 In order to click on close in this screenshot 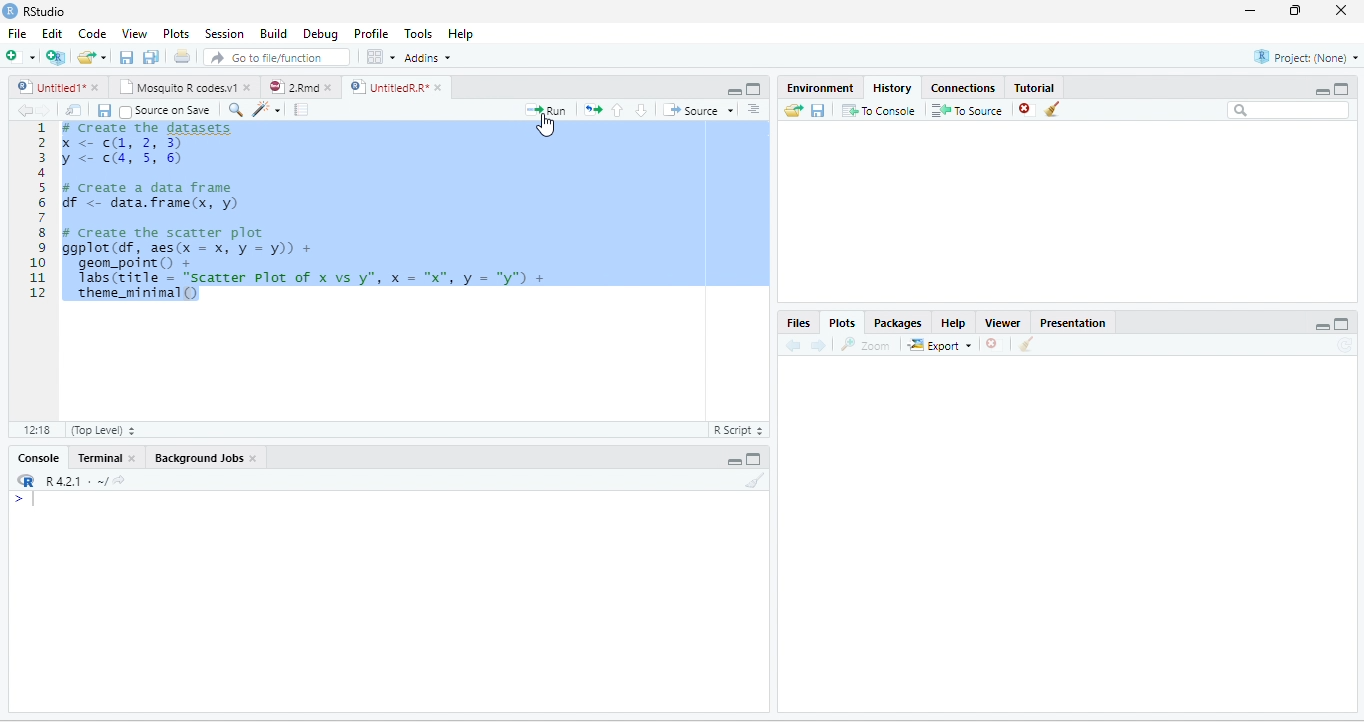, I will do `click(328, 87)`.